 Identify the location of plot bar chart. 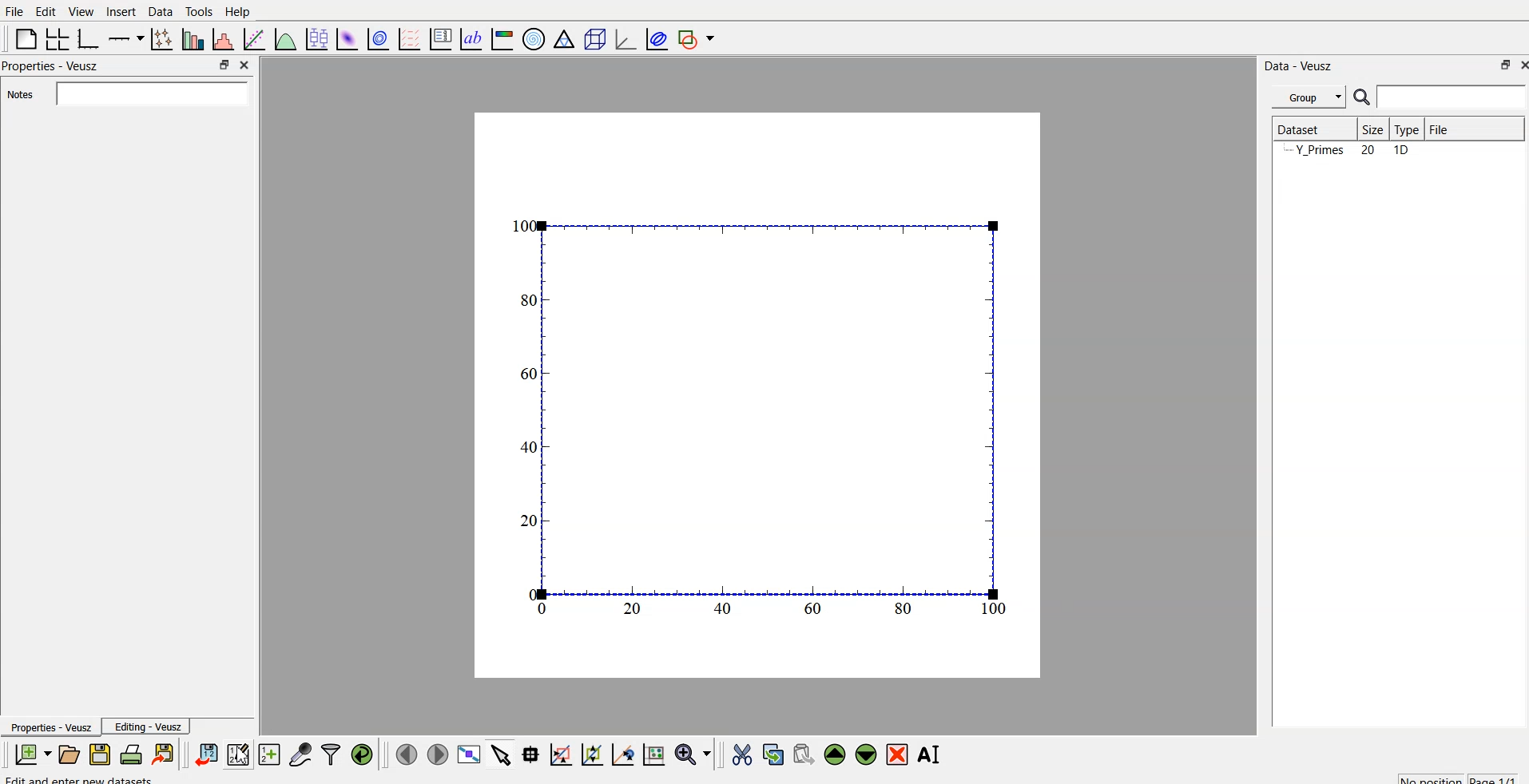
(191, 41).